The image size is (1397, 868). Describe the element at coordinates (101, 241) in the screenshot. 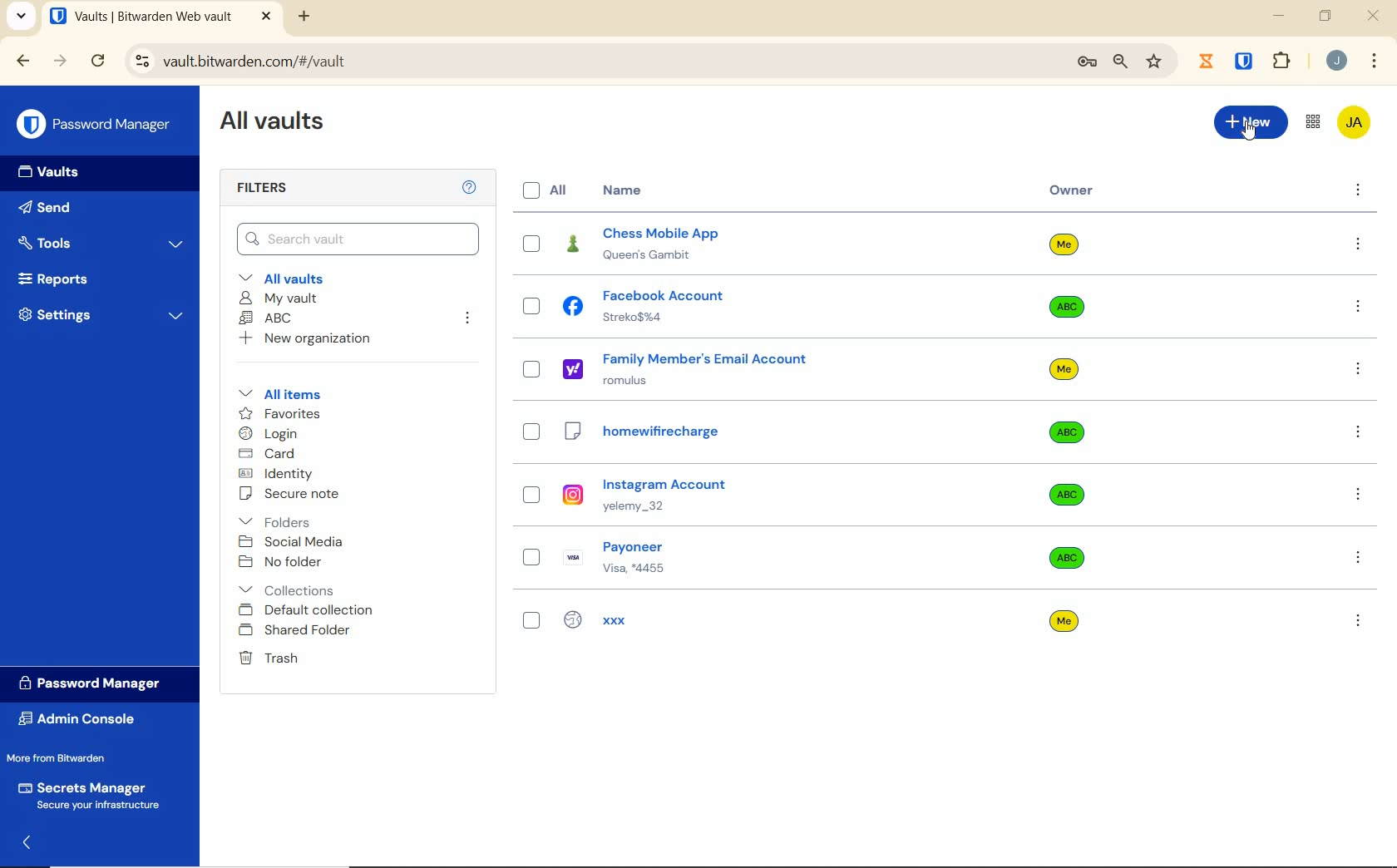

I see `Tools` at that location.